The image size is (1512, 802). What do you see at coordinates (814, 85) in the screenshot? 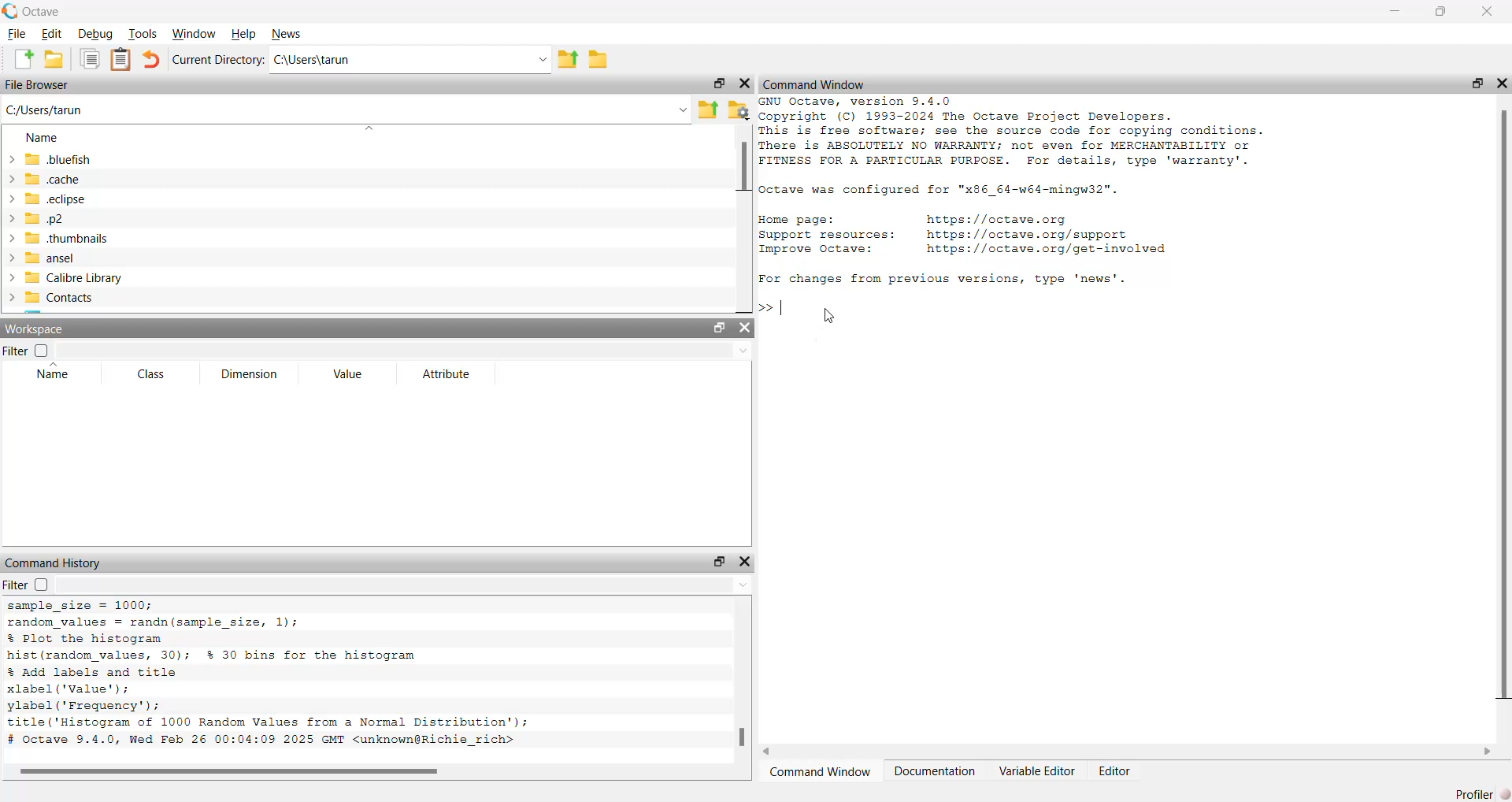
I see `Command Window` at bounding box center [814, 85].